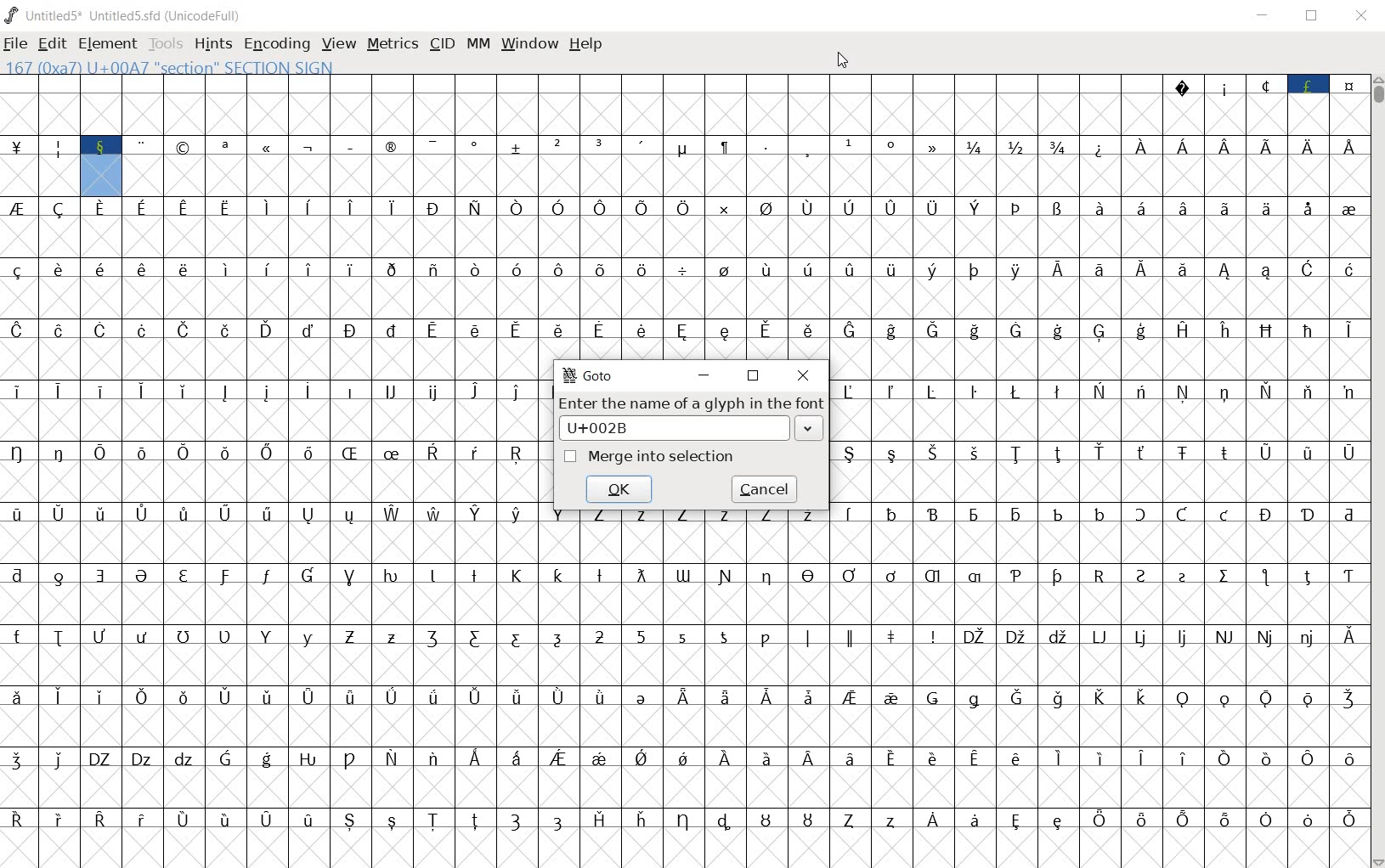 The width and height of the screenshot is (1385, 868). I want to click on Untitled1 Untitled1.sfd (UnicodeFull), so click(127, 15).